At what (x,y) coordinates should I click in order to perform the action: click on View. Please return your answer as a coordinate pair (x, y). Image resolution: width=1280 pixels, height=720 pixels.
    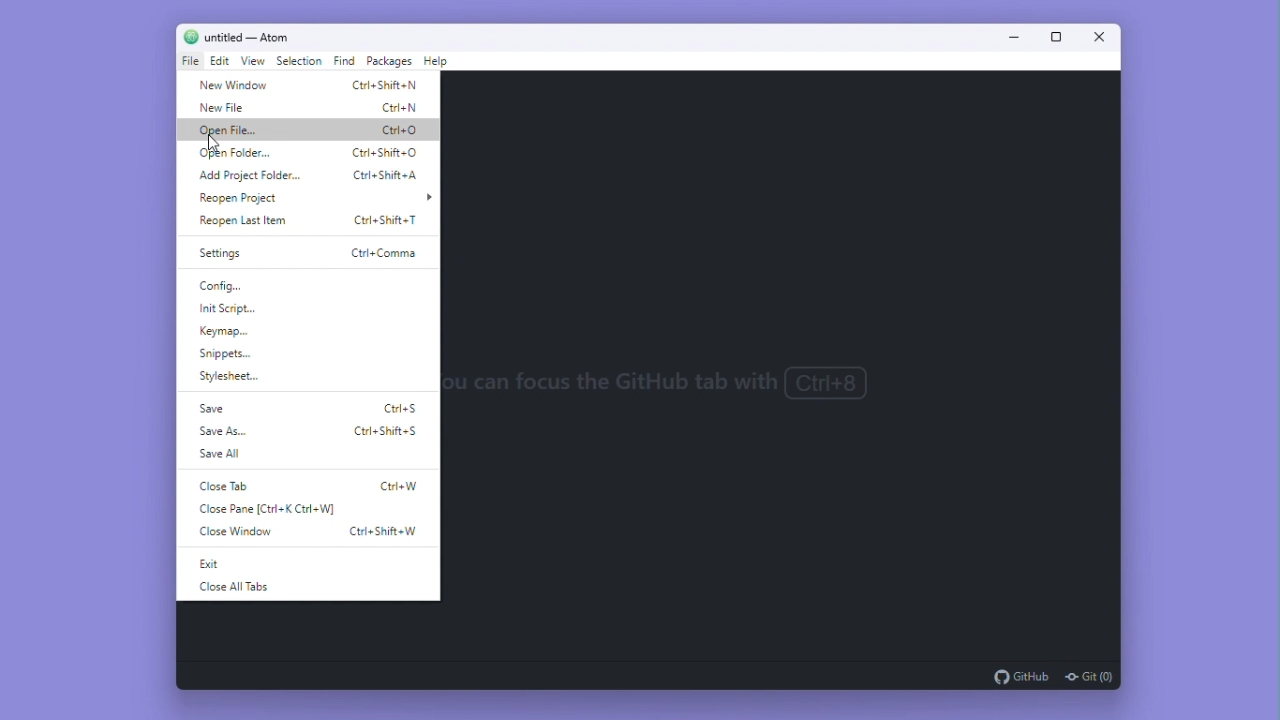
    Looking at the image, I should click on (255, 63).